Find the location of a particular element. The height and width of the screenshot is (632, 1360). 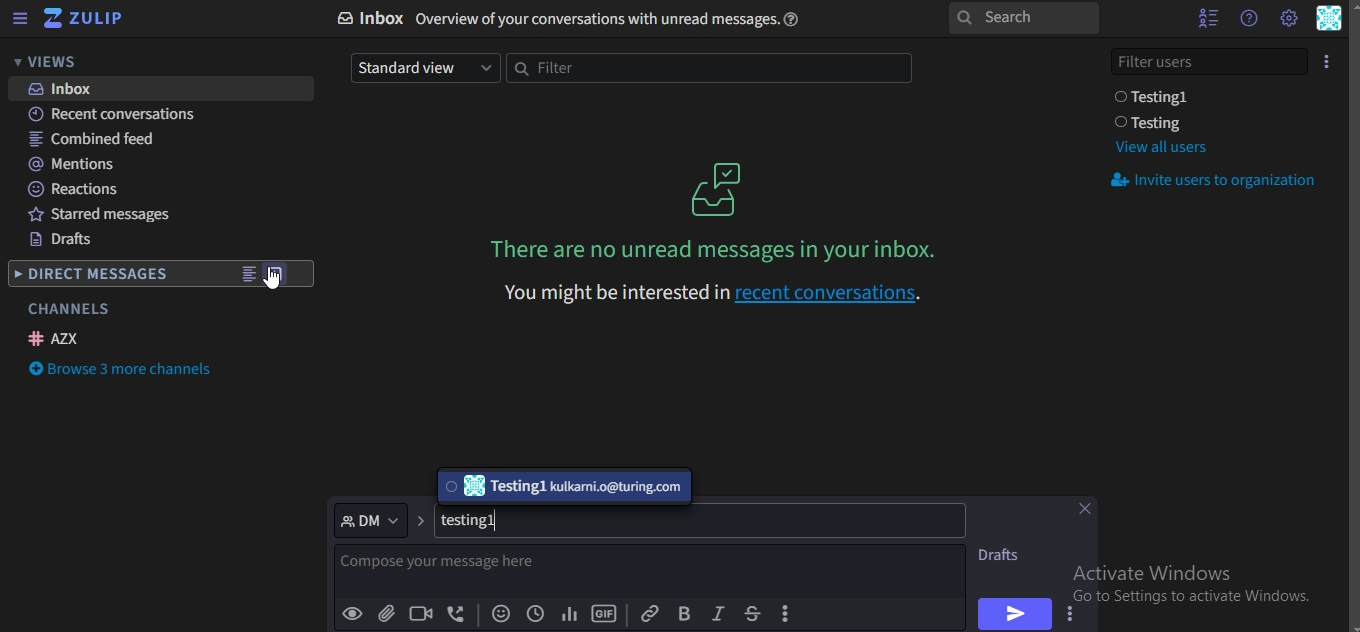

search is located at coordinates (1022, 19).